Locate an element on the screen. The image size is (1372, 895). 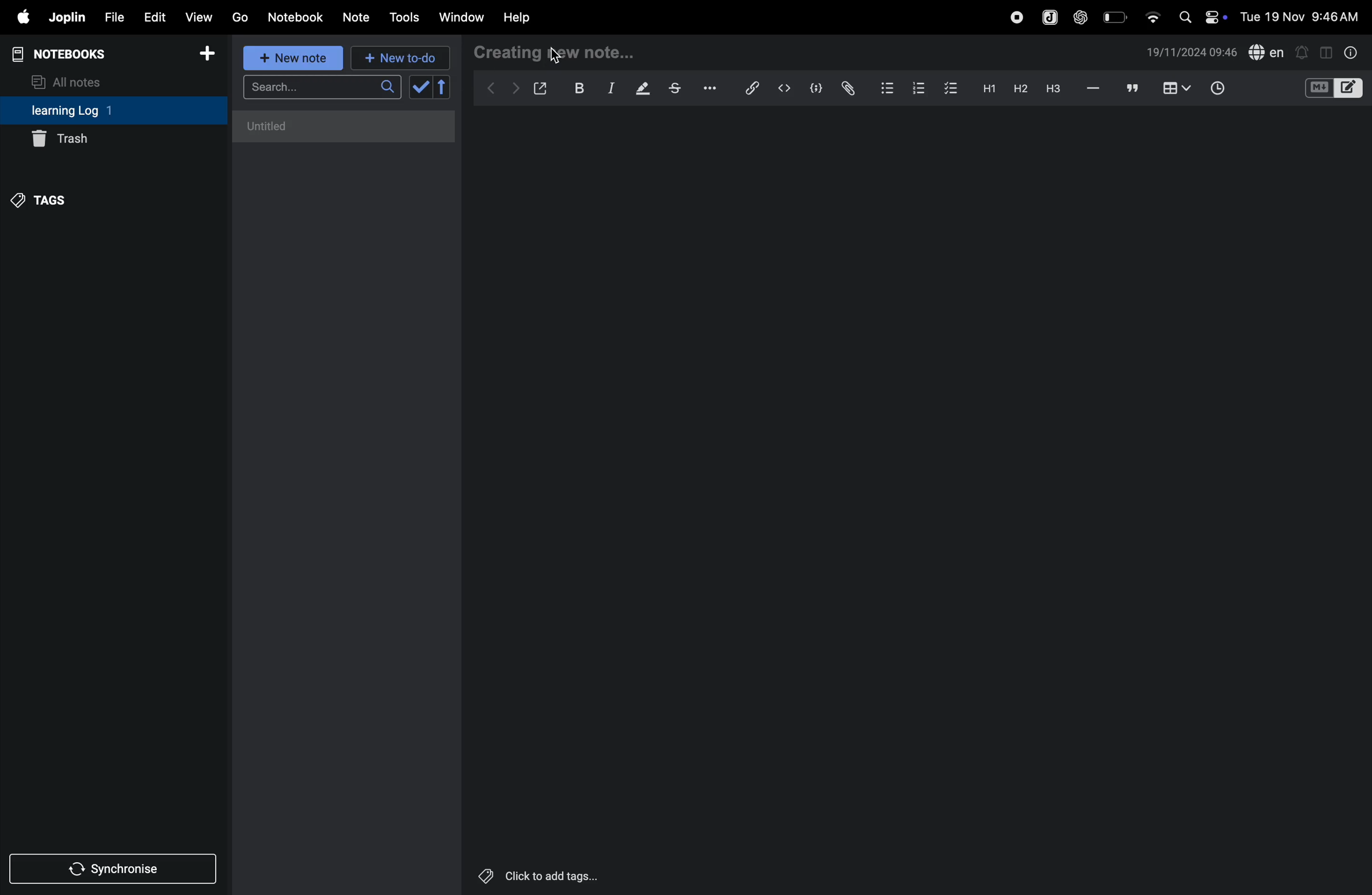
spell check is located at coordinates (1267, 53).